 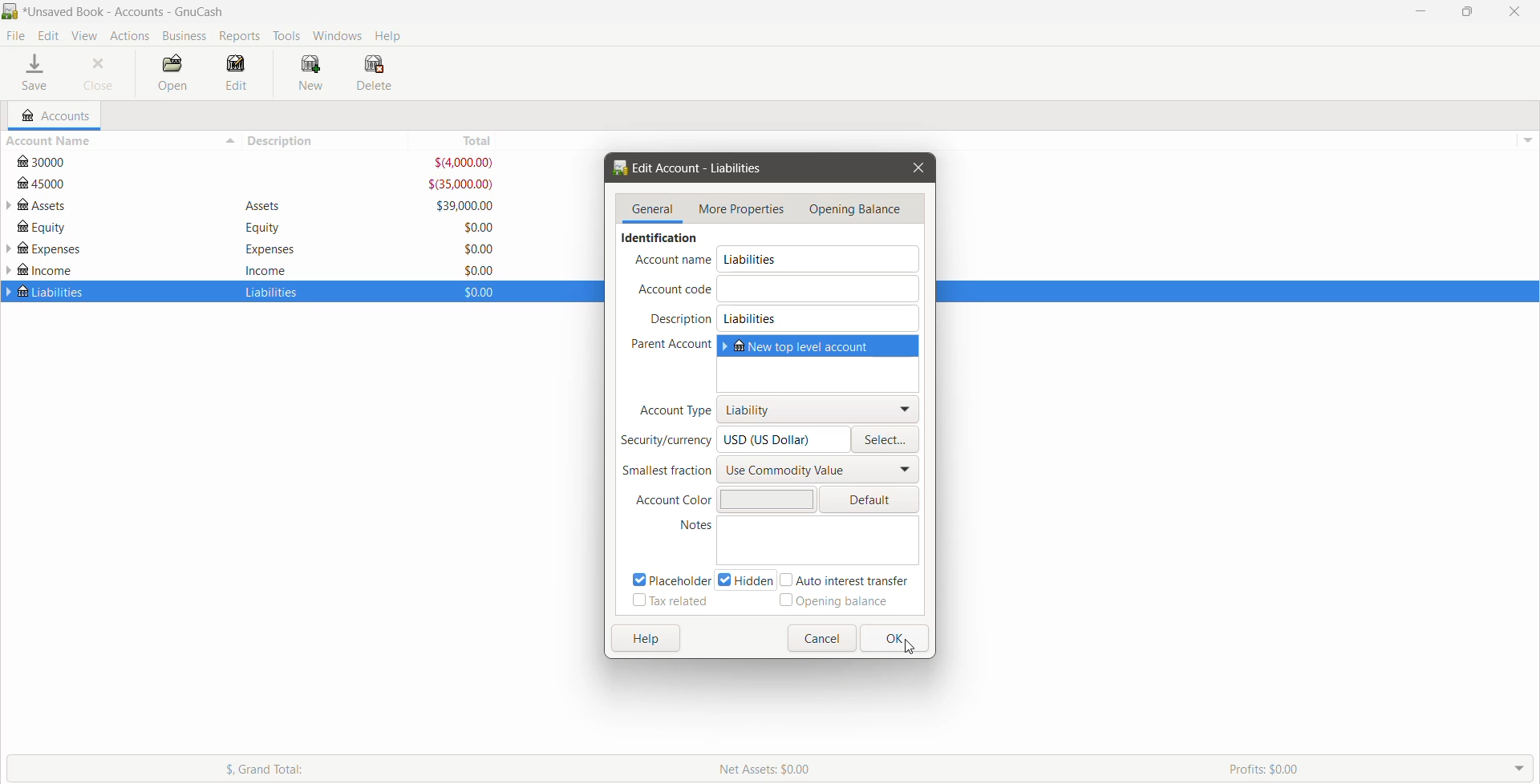 I want to click on Security/currency, so click(x=666, y=441).